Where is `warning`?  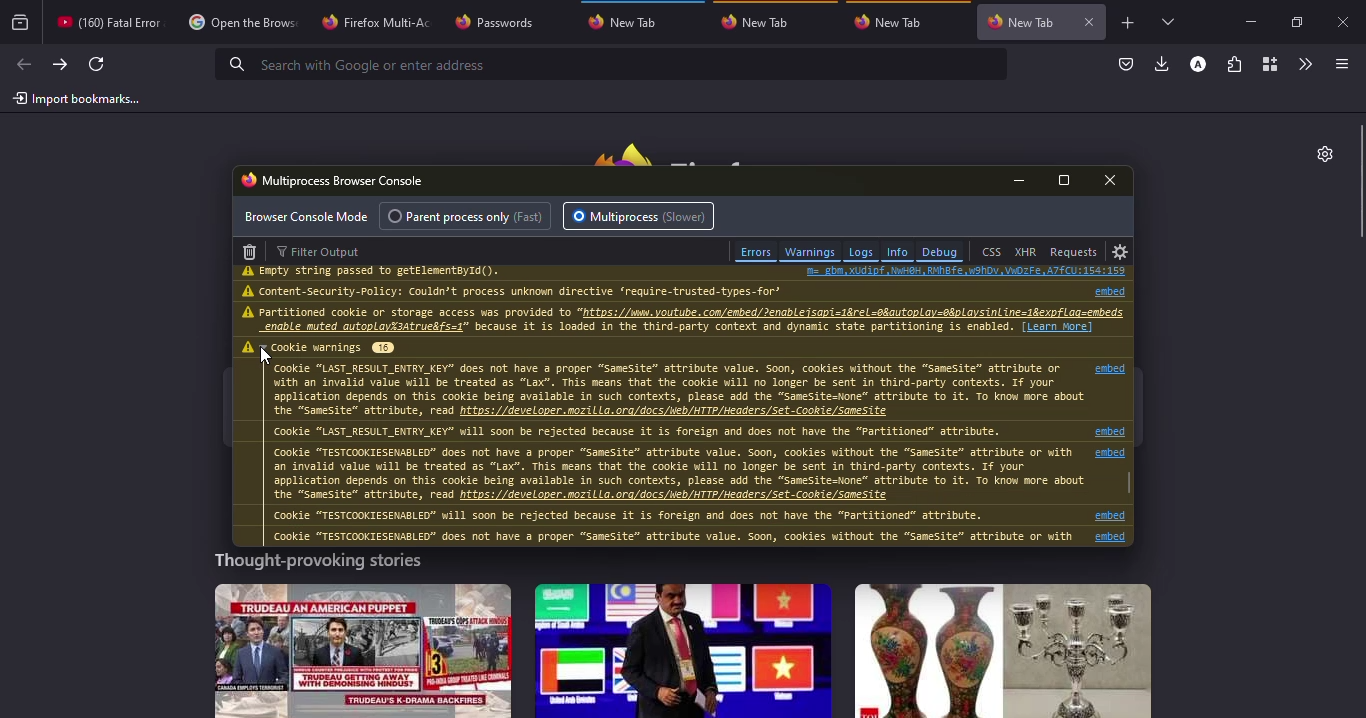 warning is located at coordinates (250, 291).